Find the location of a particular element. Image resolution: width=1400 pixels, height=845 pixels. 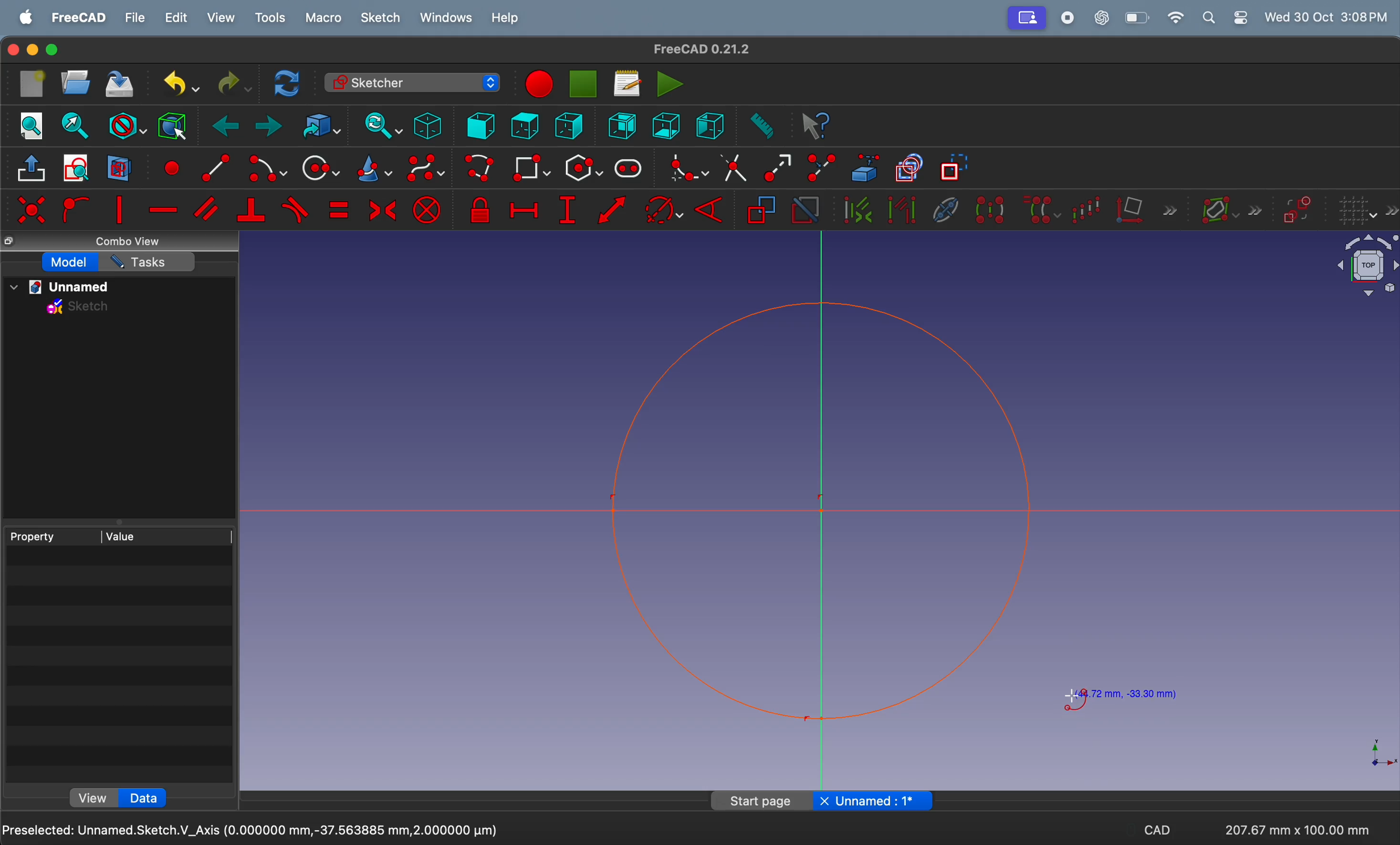

freeCad is located at coordinates (79, 18).